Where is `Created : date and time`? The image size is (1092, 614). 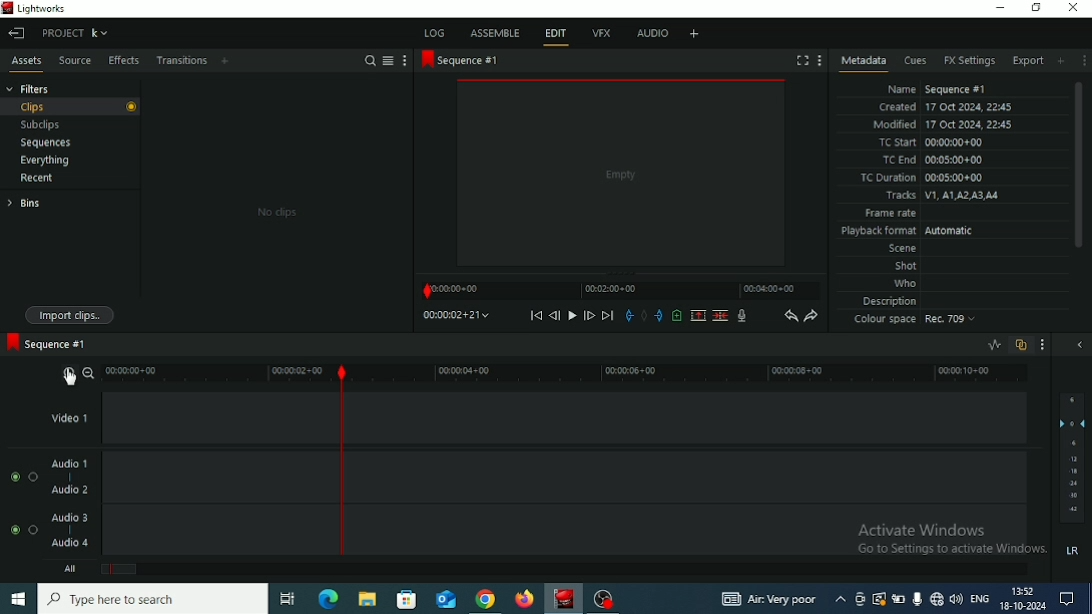
Created : date and time is located at coordinates (943, 108).